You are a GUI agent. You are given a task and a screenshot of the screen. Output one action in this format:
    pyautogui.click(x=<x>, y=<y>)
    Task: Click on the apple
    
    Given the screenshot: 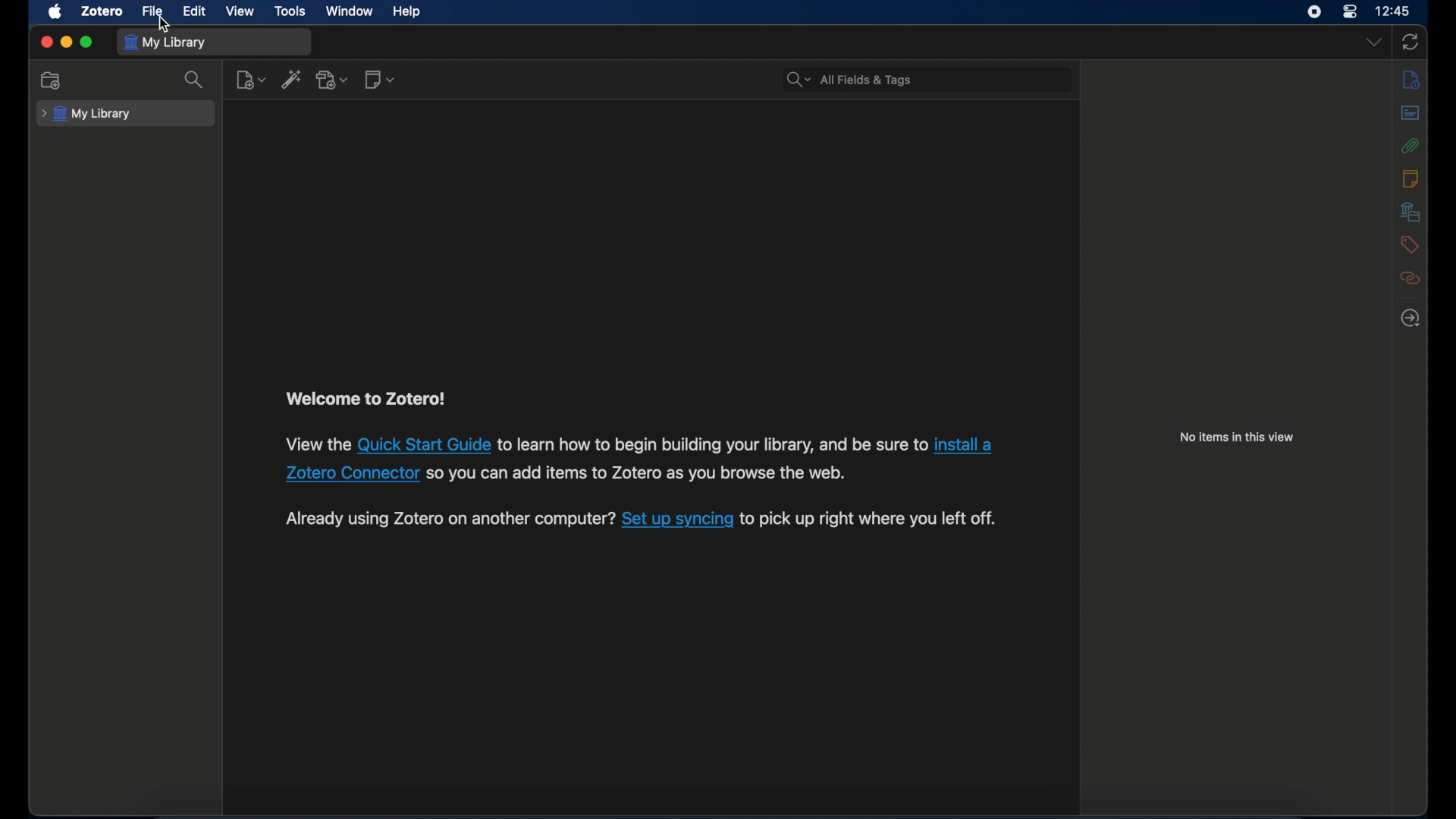 What is the action you would take?
    pyautogui.click(x=56, y=11)
    